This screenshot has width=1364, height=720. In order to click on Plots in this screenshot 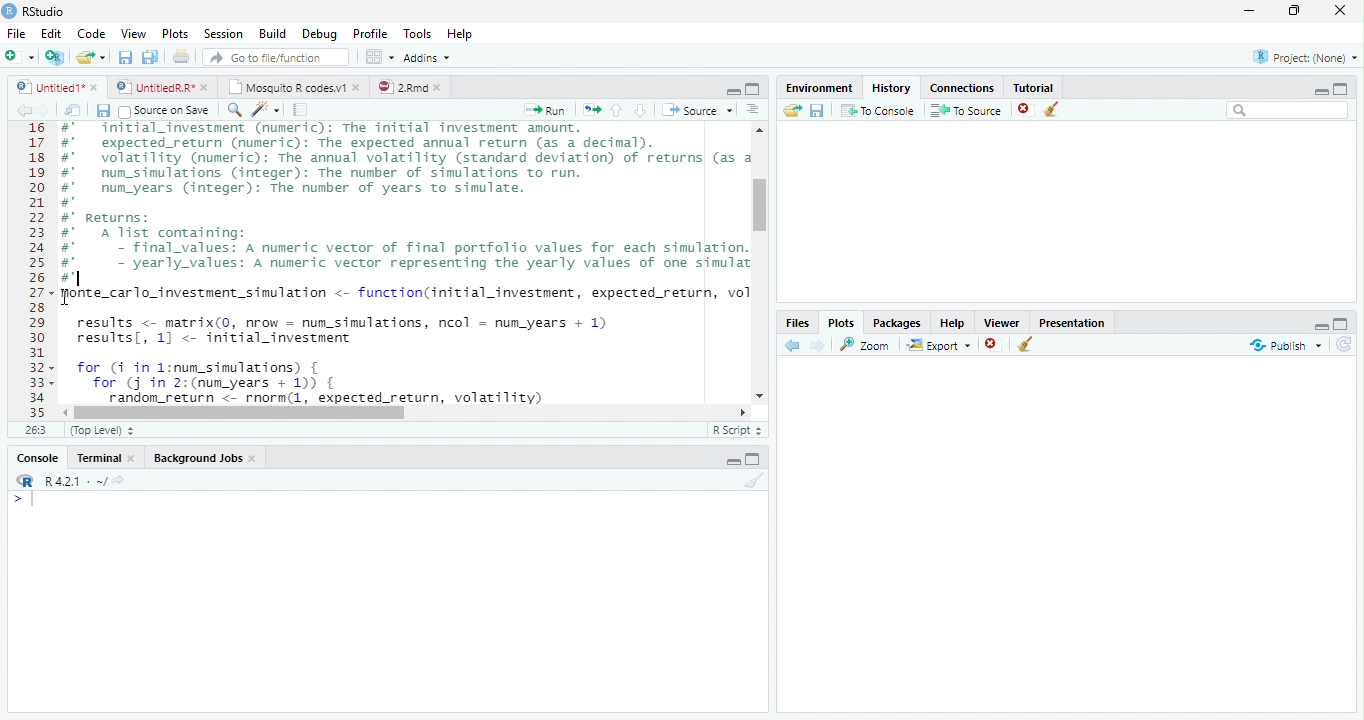, I will do `click(841, 322)`.